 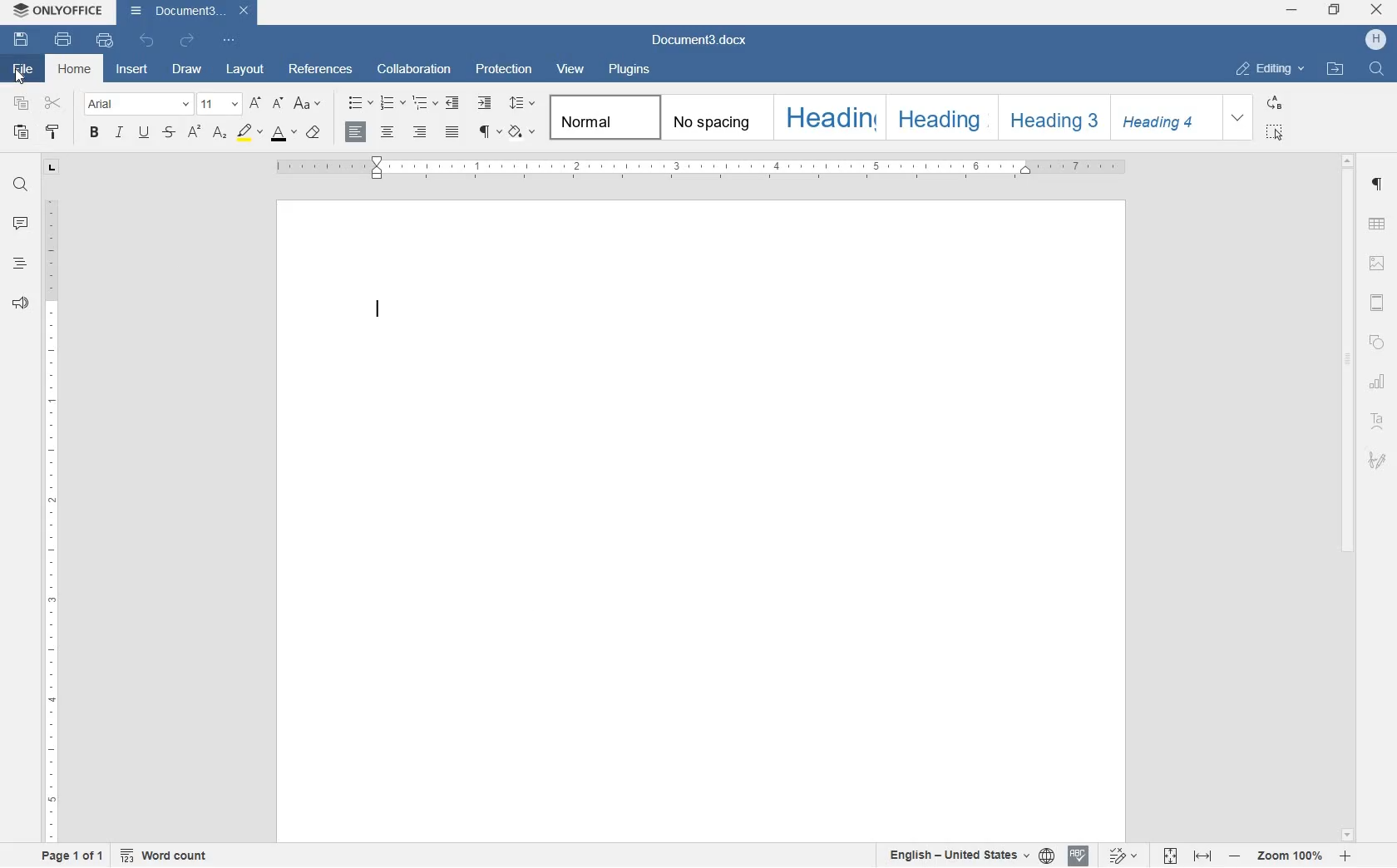 What do you see at coordinates (451, 133) in the screenshot?
I see `justified` at bounding box center [451, 133].